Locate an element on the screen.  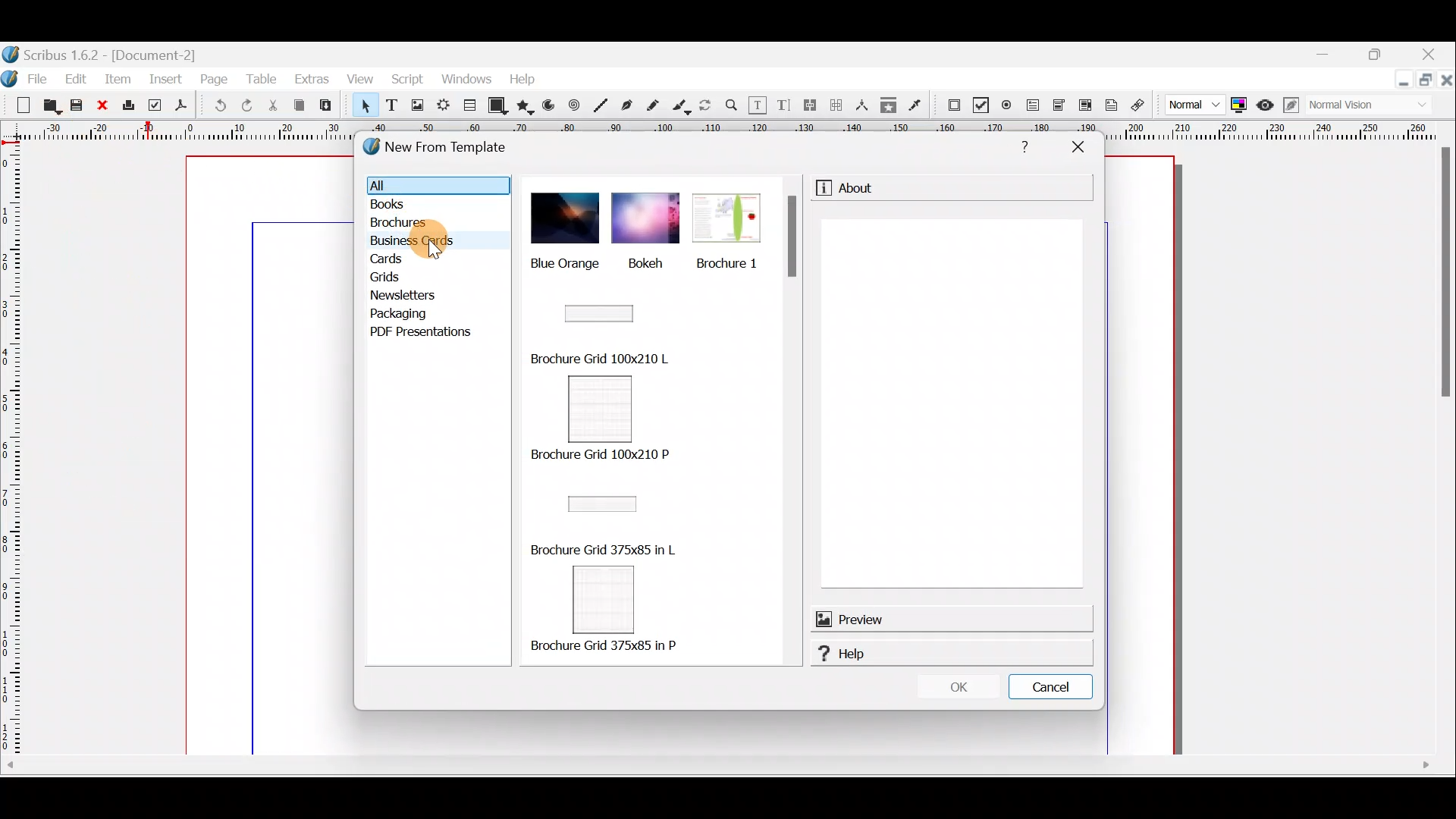
Extras is located at coordinates (311, 77).